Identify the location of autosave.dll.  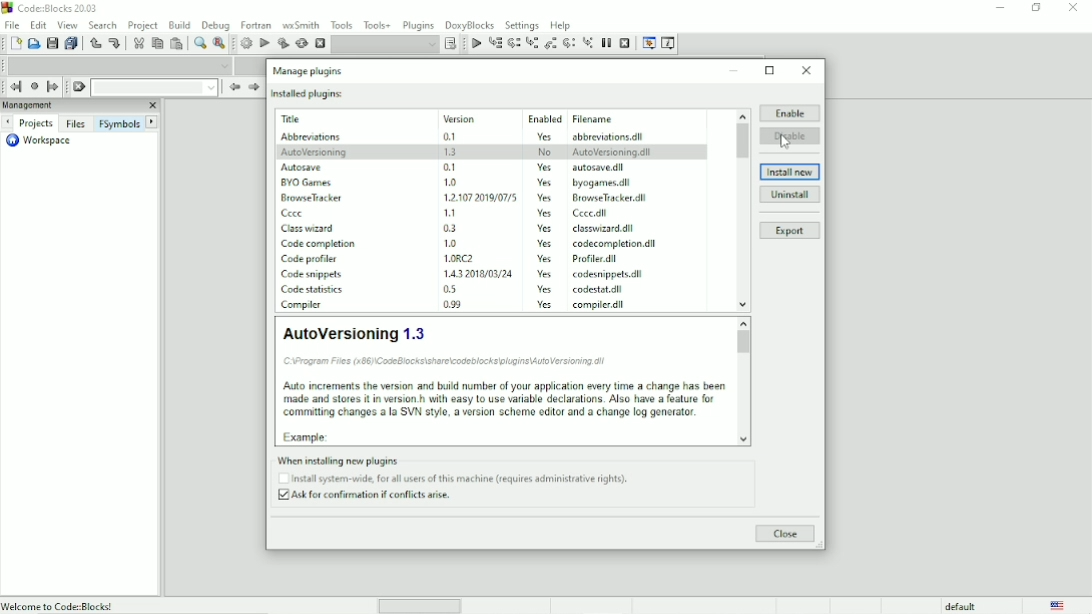
(600, 166).